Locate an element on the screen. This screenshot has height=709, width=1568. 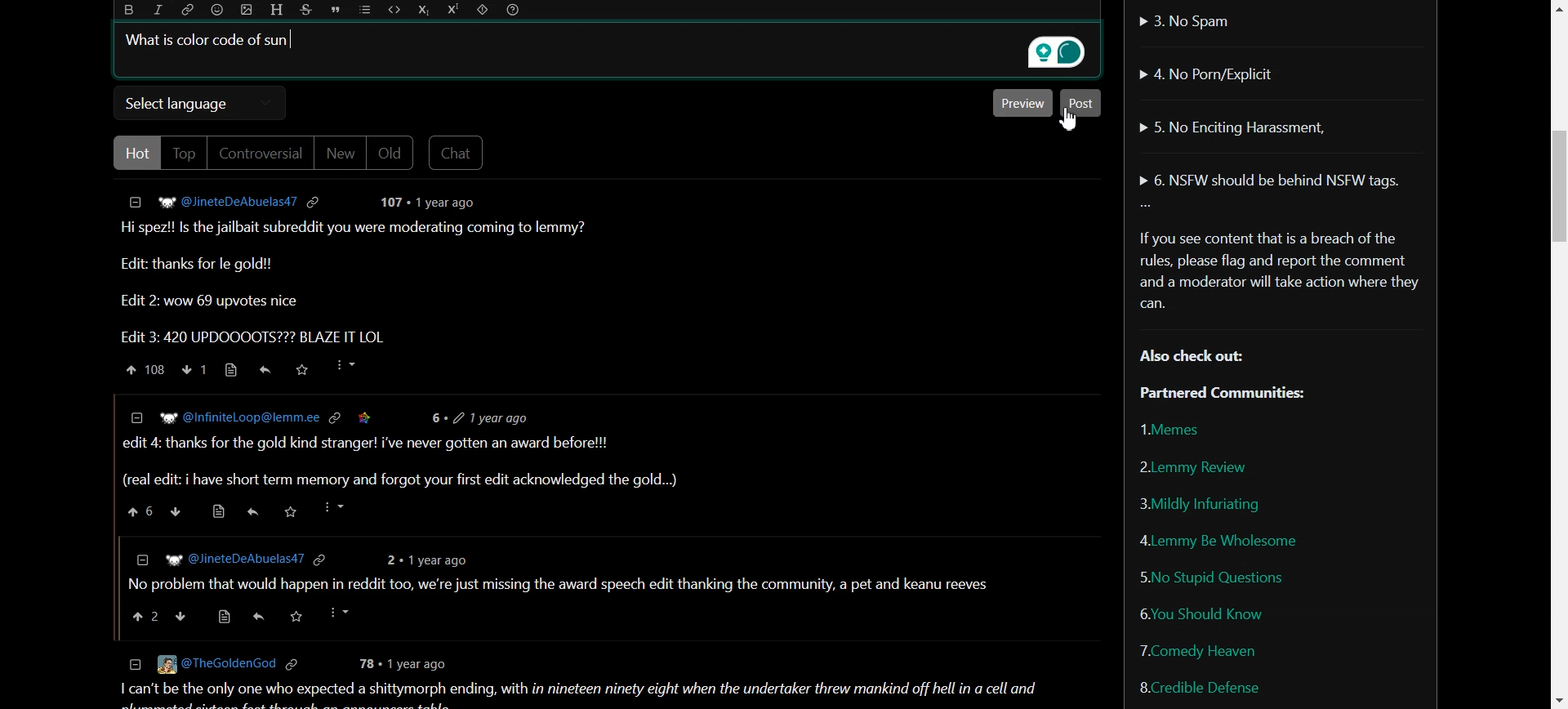
source is located at coordinates (225, 618).